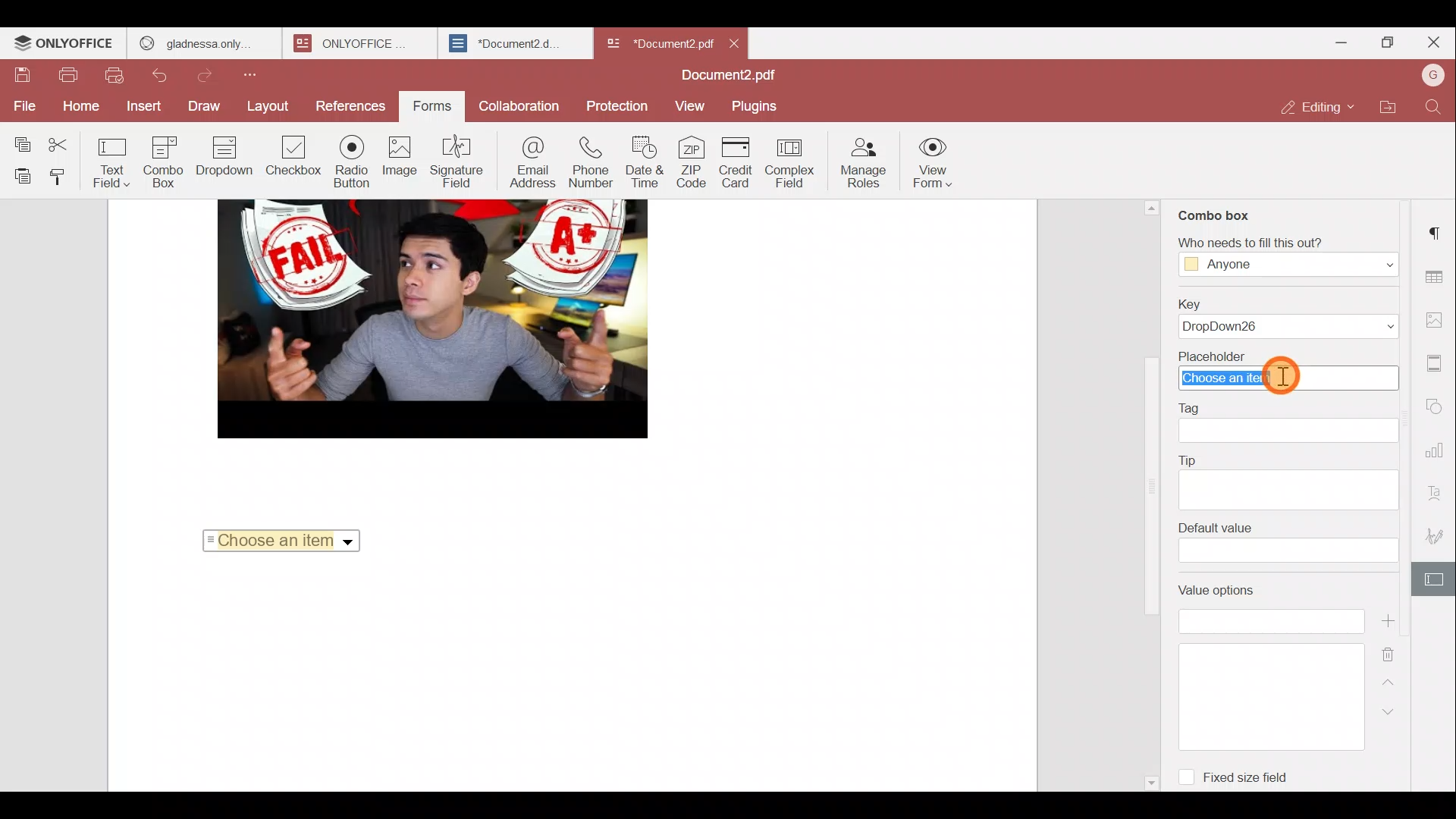  What do you see at coordinates (350, 43) in the screenshot?
I see `ONLYOFFICE` at bounding box center [350, 43].